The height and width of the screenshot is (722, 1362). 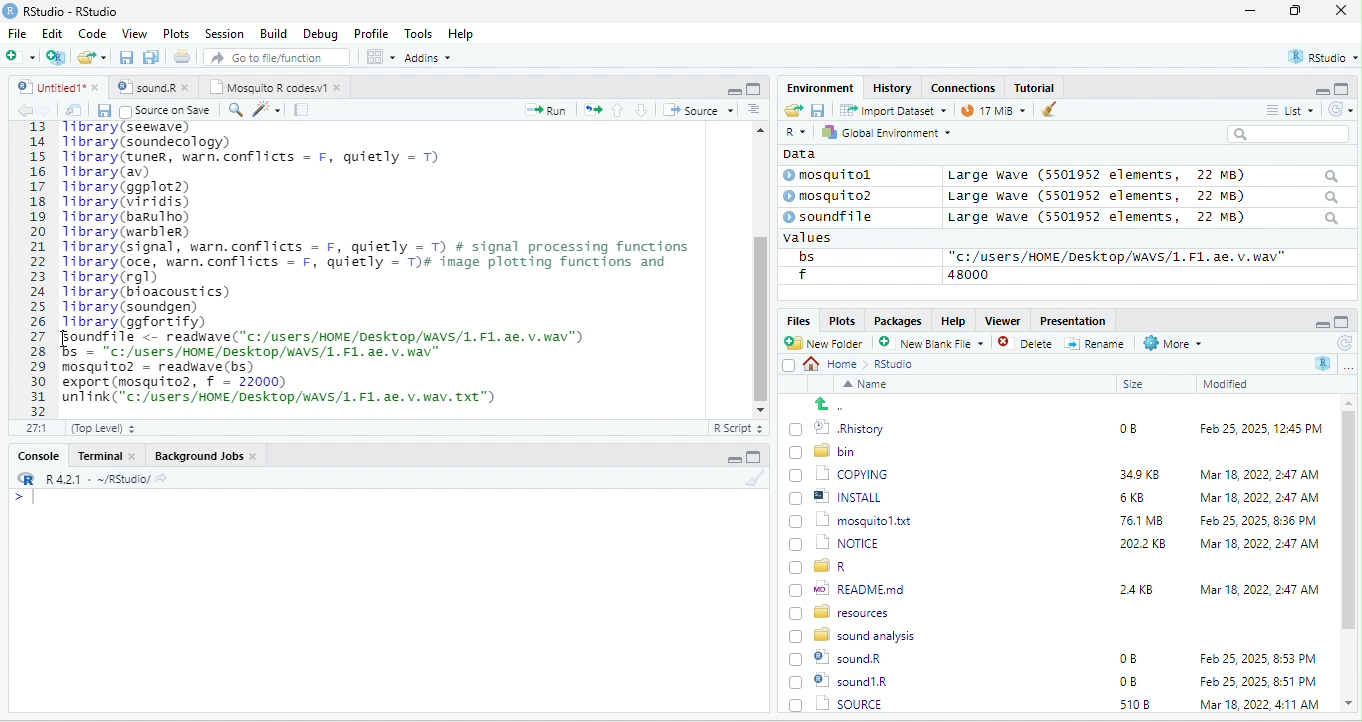 What do you see at coordinates (832, 544) in the screenshot?
I see `(7) 1 NOTICE` at bounding box center [832, 544].